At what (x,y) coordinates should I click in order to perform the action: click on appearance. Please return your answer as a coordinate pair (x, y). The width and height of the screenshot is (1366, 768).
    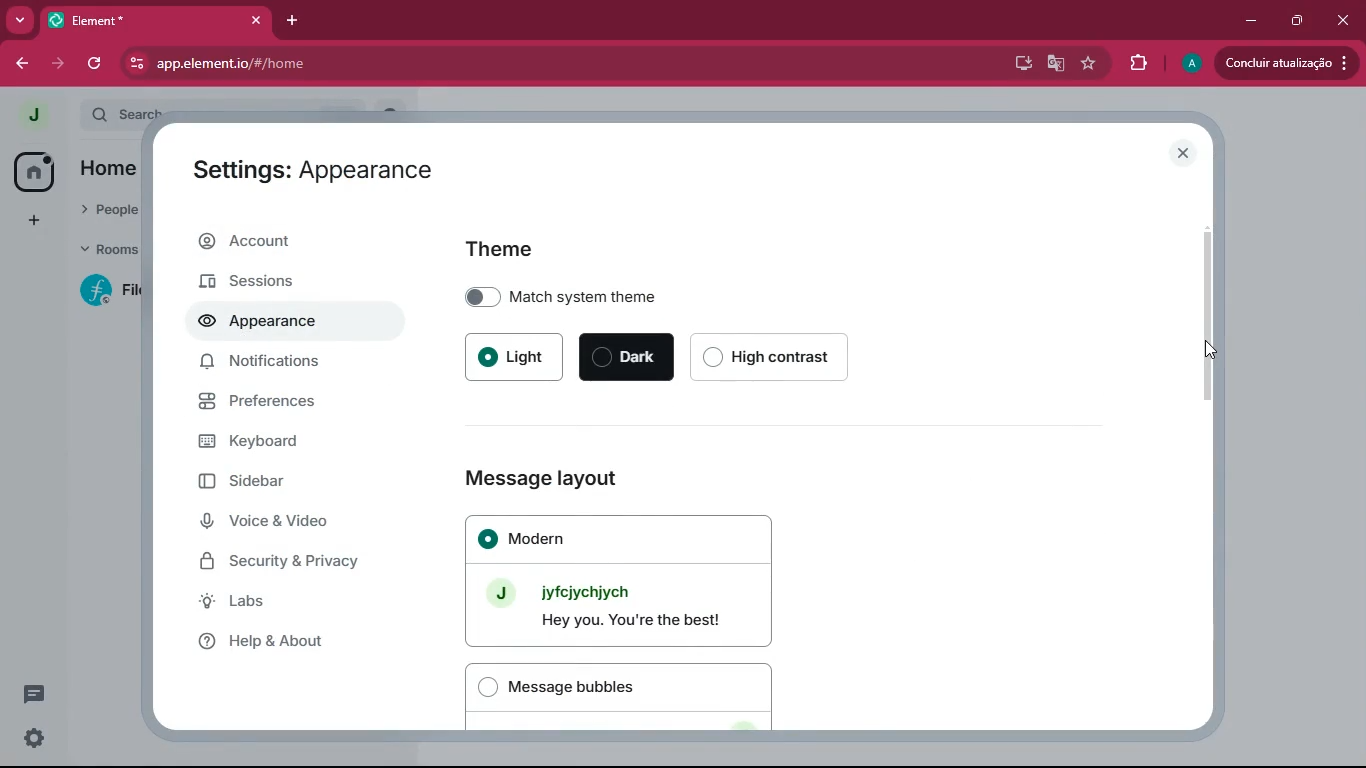
    Looking at the image, I should click on (269, 323).